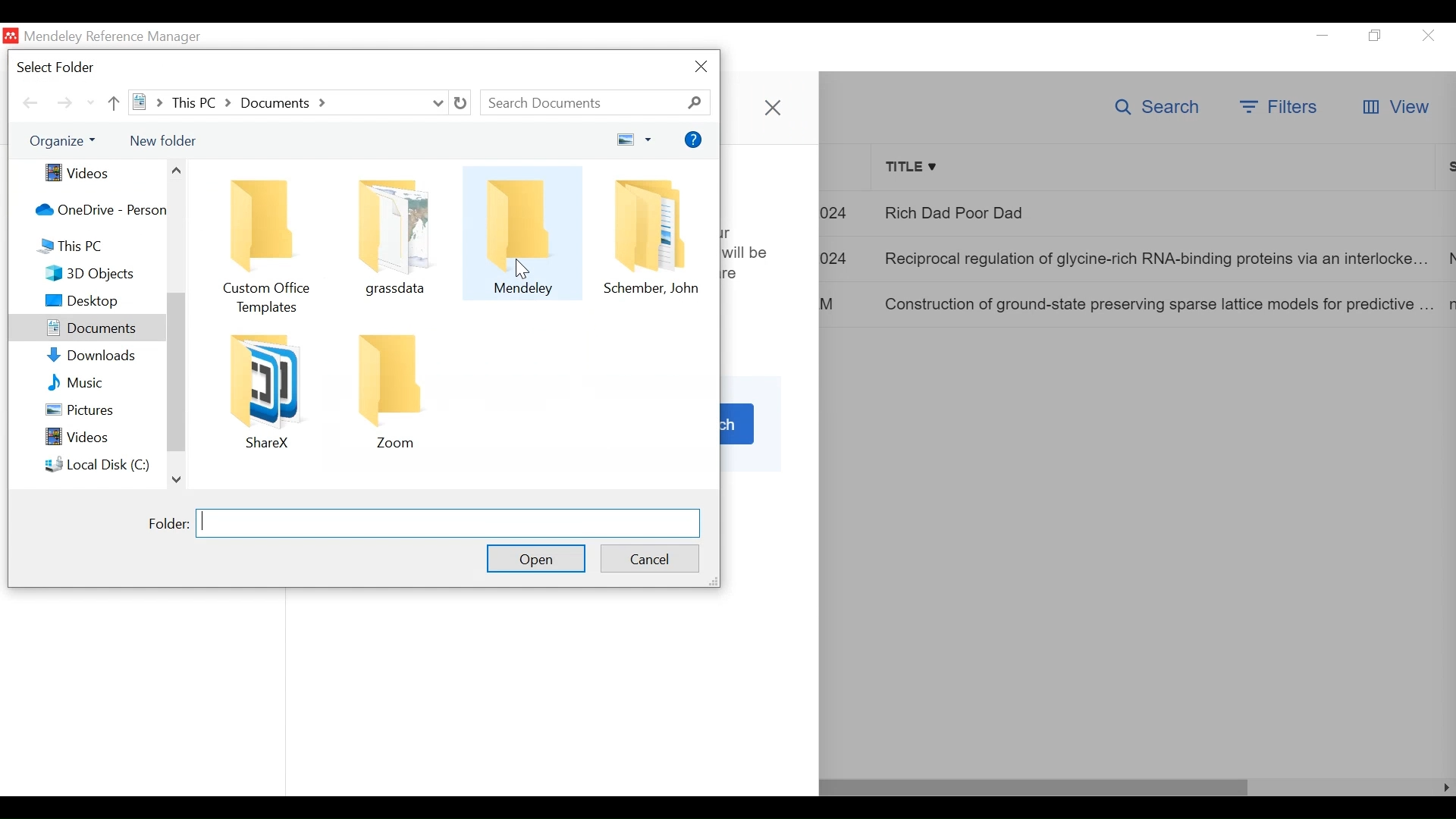  What do you see at coordinates (1157, 168) in the screenshot?
I see `Title` at bounding box center [1157, 168].